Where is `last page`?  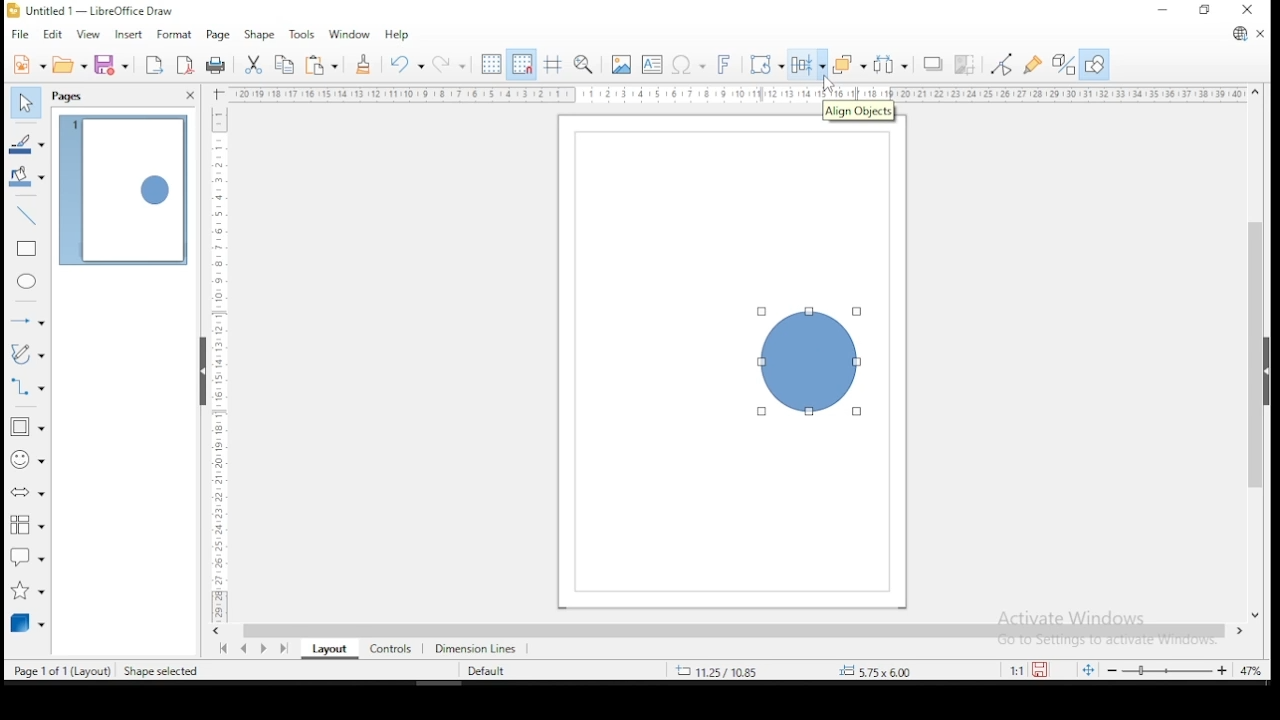
last page is located at coordinates (287, 647).